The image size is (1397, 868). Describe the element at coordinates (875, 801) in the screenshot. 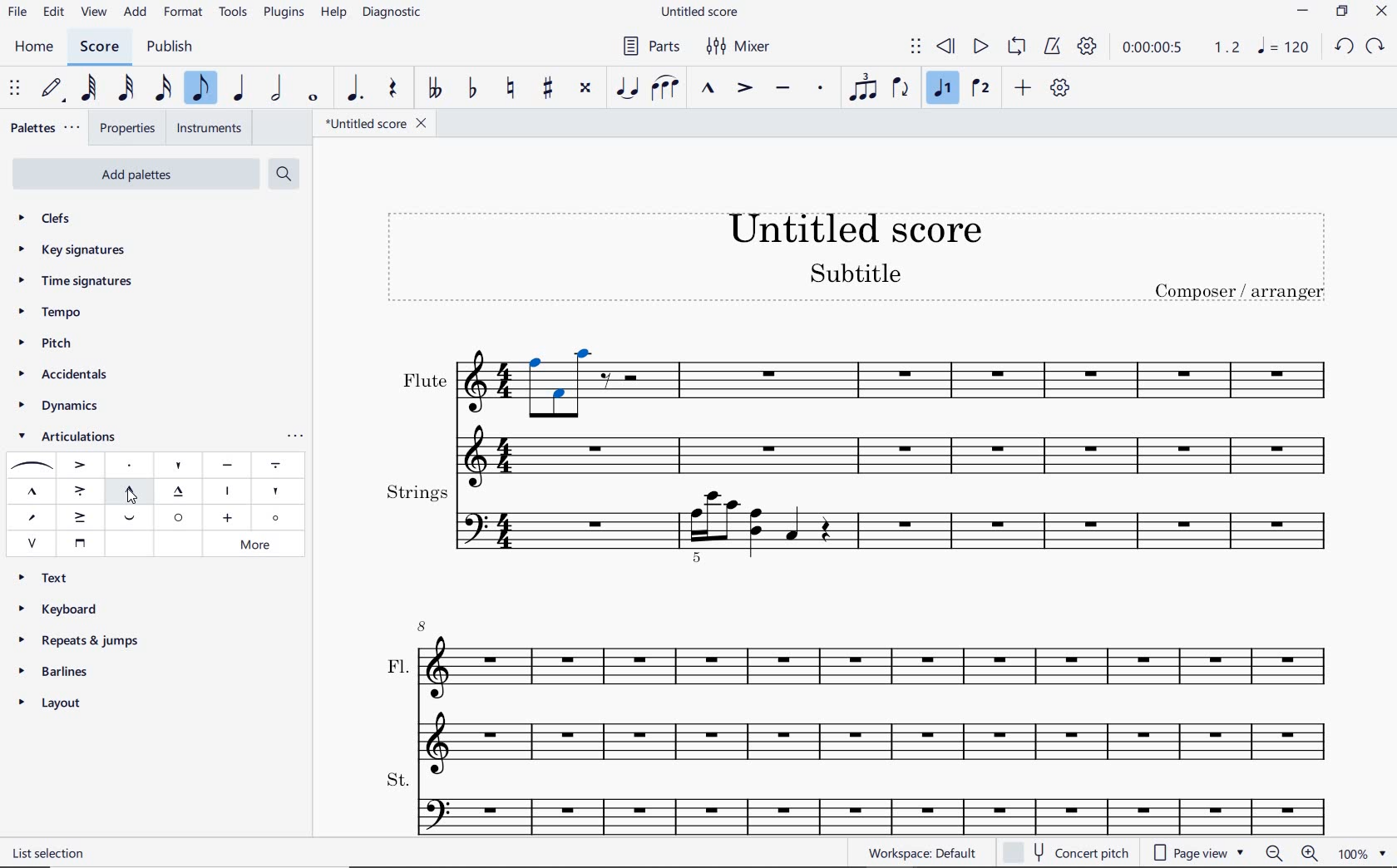

I see `st.` at that location.